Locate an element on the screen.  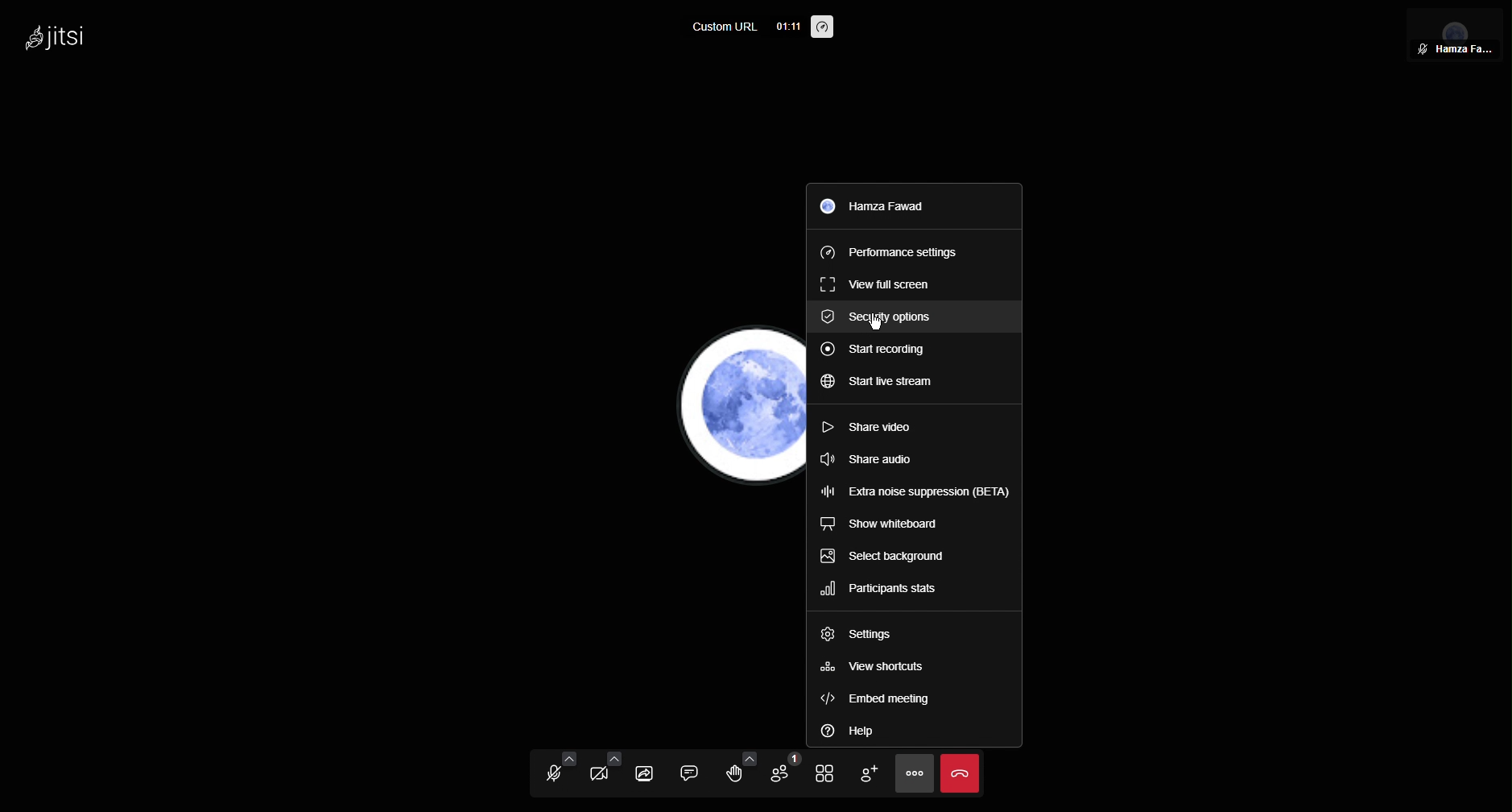
Show whiteboard is located at coordinates (885, 525).